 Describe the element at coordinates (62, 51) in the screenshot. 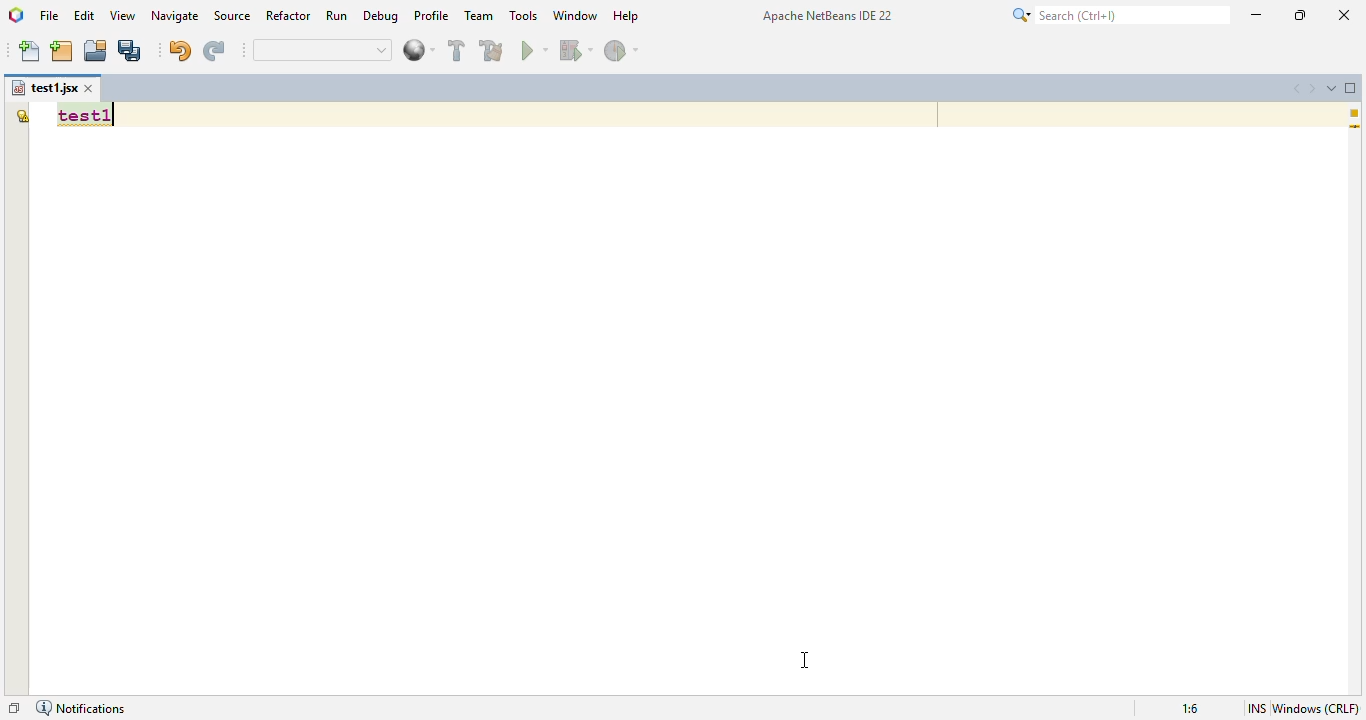

I see `new project` at that location.